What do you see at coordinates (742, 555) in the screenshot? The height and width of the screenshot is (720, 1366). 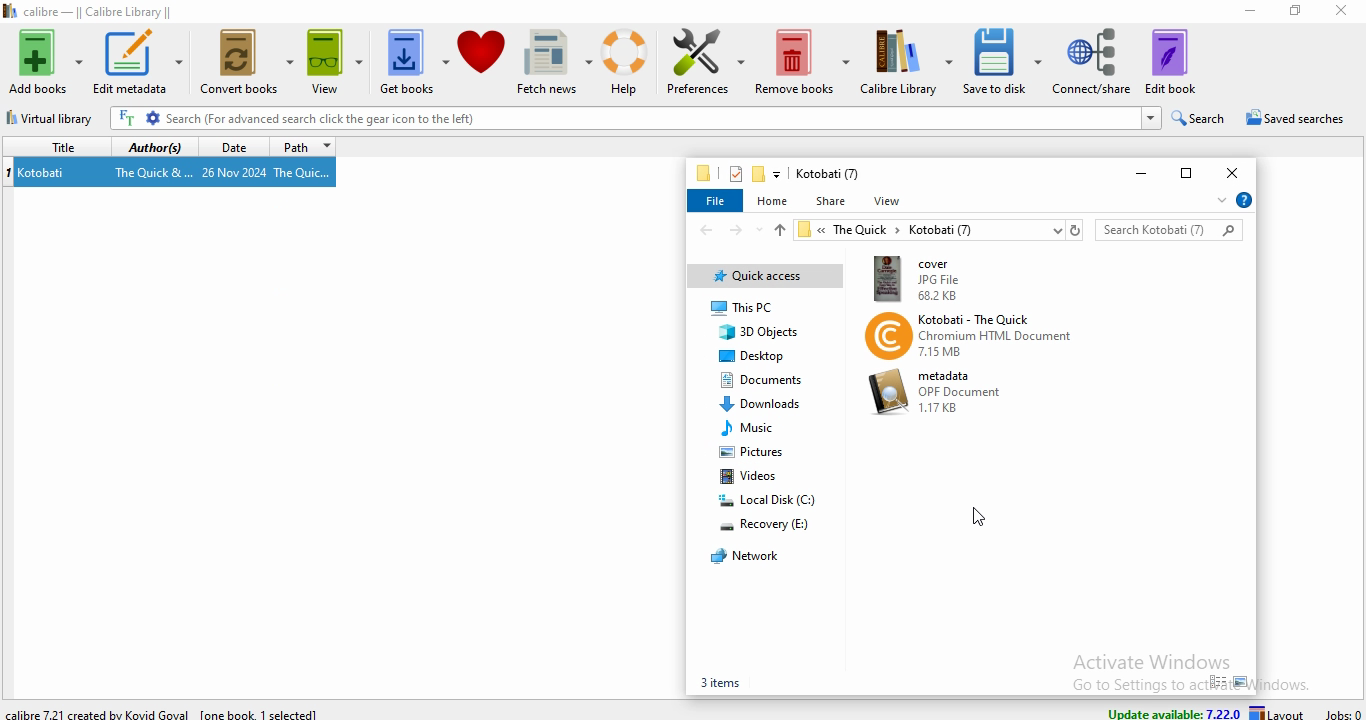 I see `network` at bounding box center [742, 555].